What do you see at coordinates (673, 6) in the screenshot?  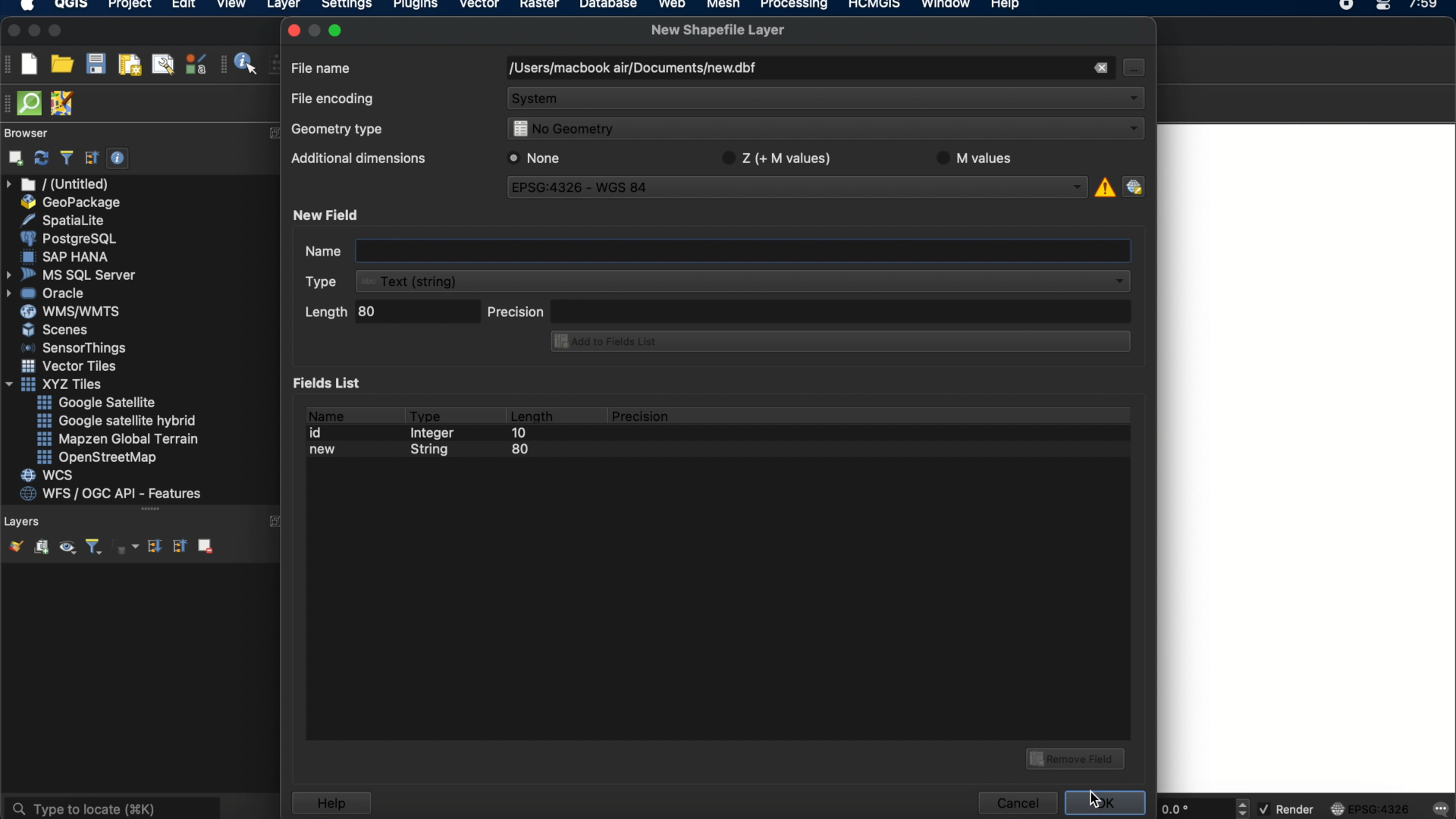 I see `web` at bounding box center [673, 6].